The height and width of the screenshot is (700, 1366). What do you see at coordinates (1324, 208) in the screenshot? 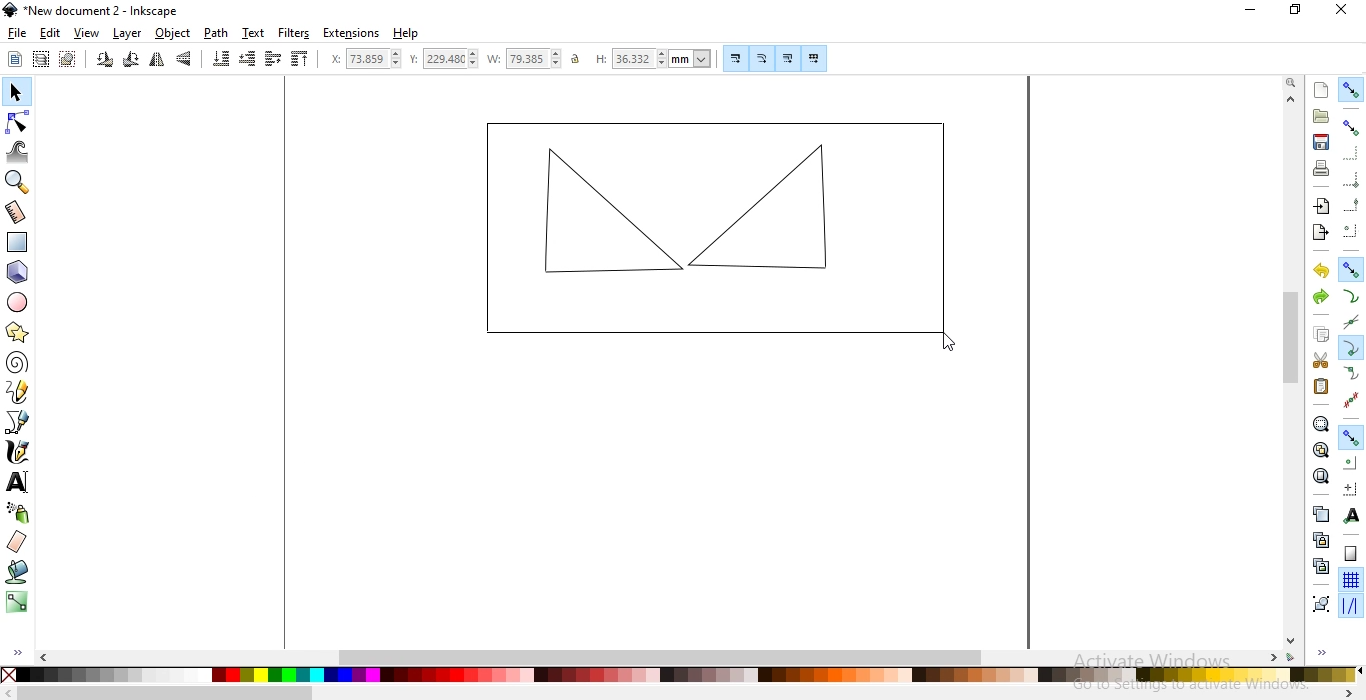
I see `import a bitmap or SVG image` at bounding box center [1324, 208].